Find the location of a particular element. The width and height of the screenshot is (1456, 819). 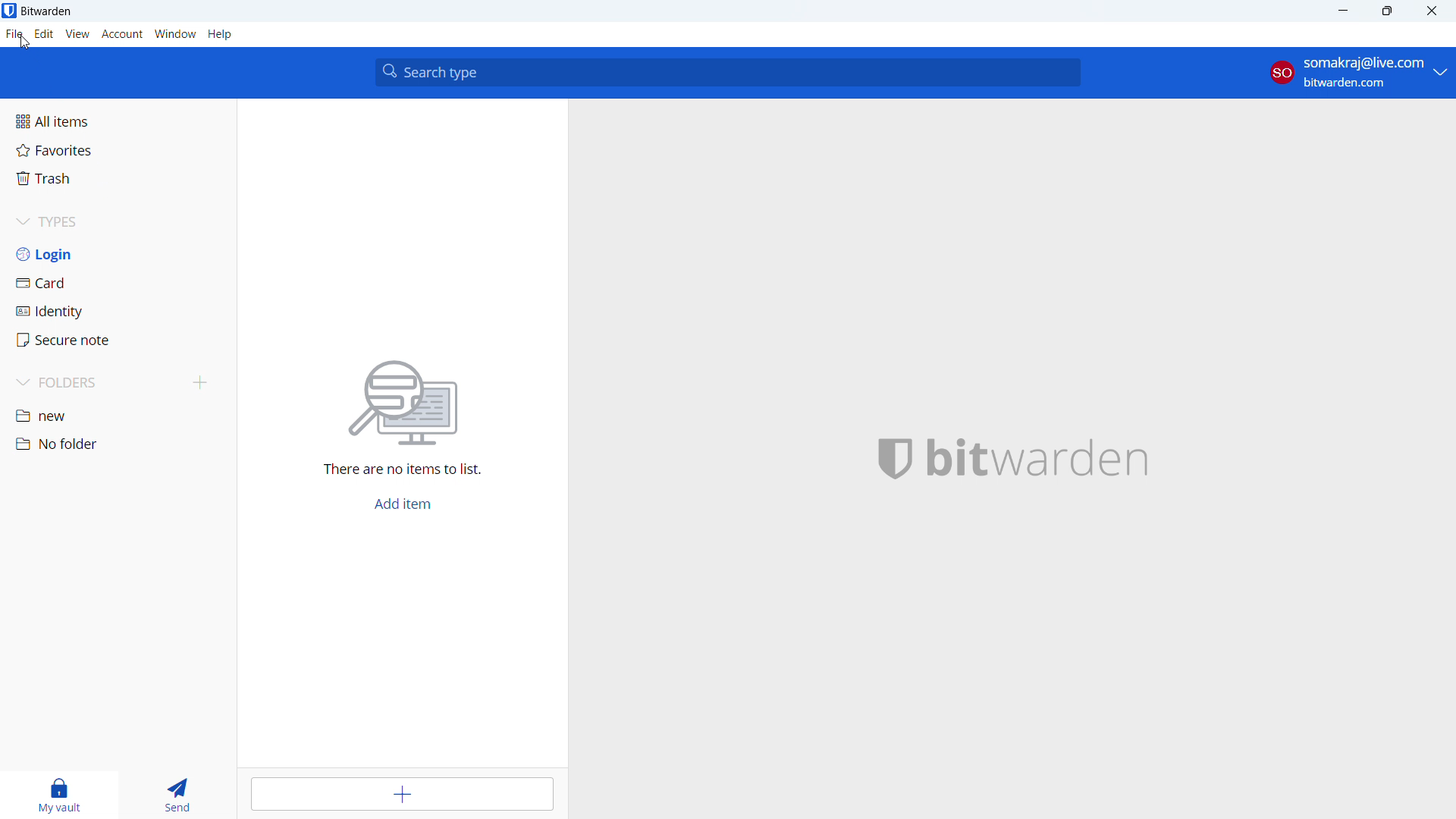

searching for file vector icon is located at coordinates (419, 402).